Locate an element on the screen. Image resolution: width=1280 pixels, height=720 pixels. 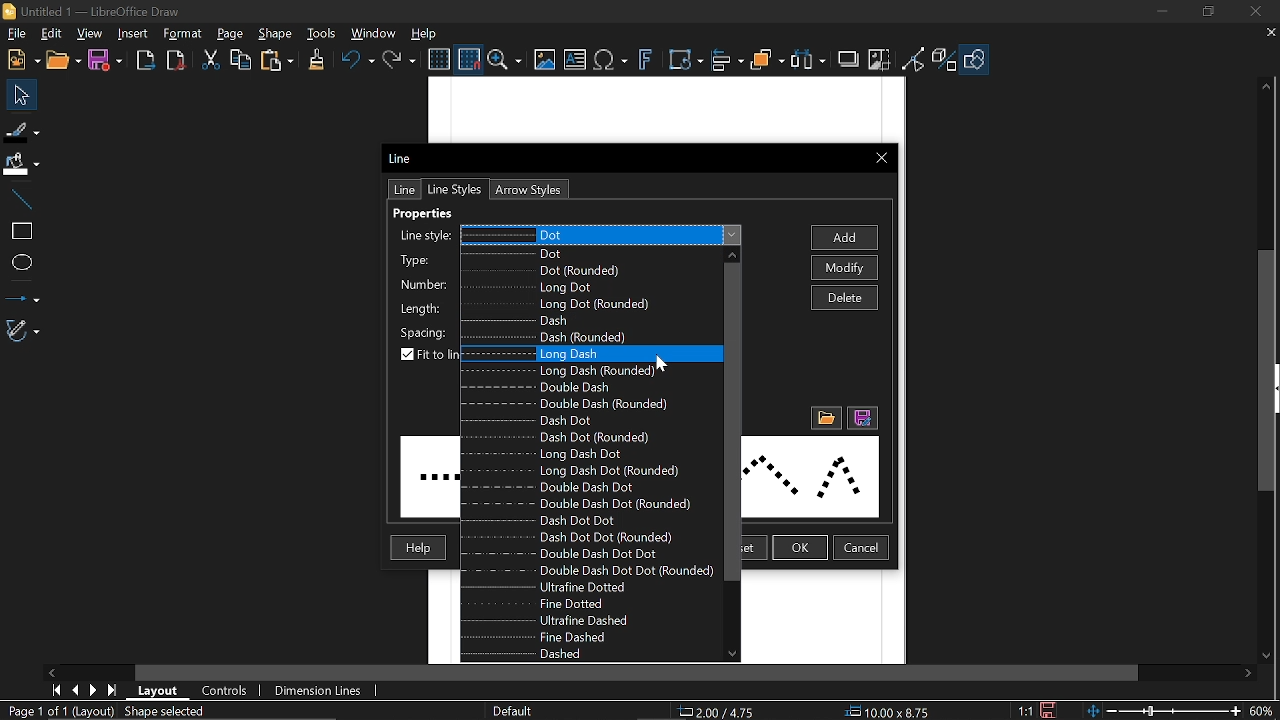
Crop is located at coordinates (879, 59).